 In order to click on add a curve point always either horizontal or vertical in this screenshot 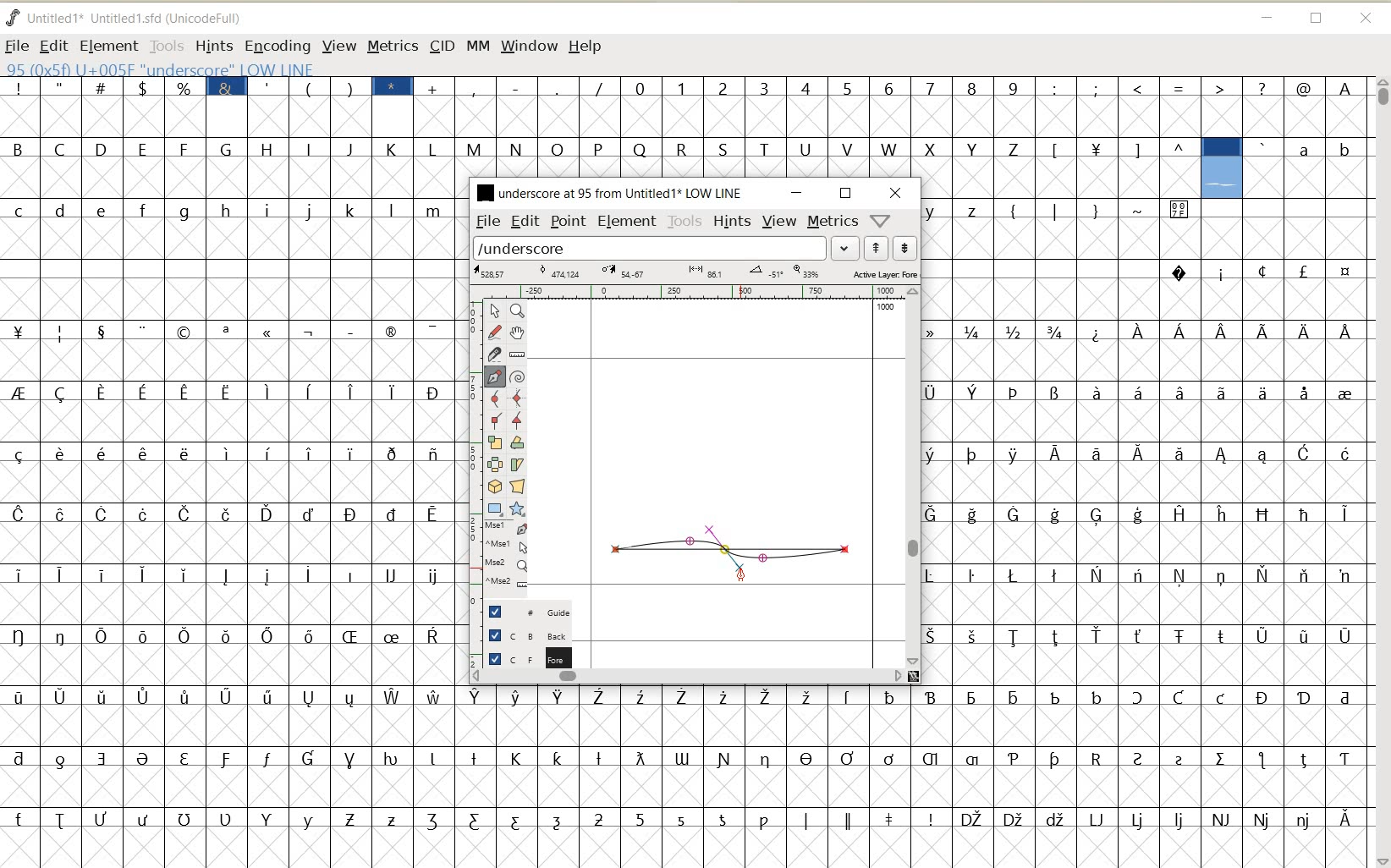, I will do `click(518, 397)`.